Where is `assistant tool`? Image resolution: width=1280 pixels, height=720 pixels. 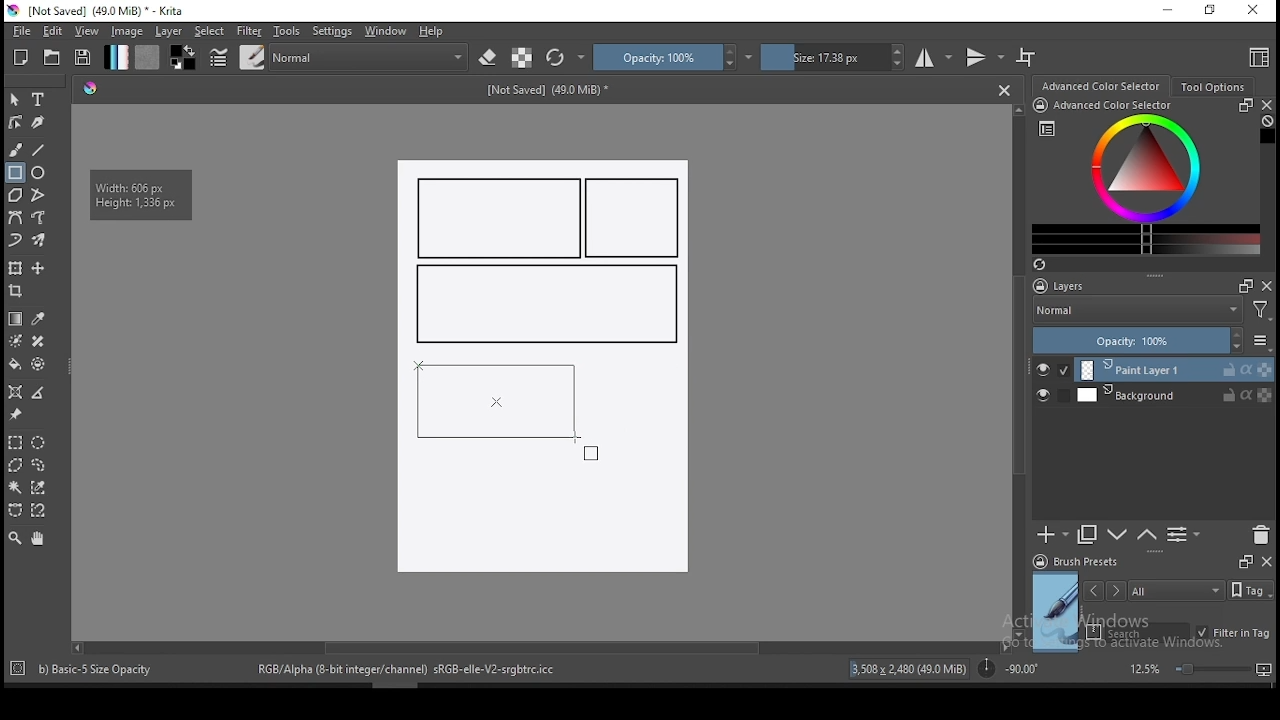 assistant tool is located at coordinates (15, 392).